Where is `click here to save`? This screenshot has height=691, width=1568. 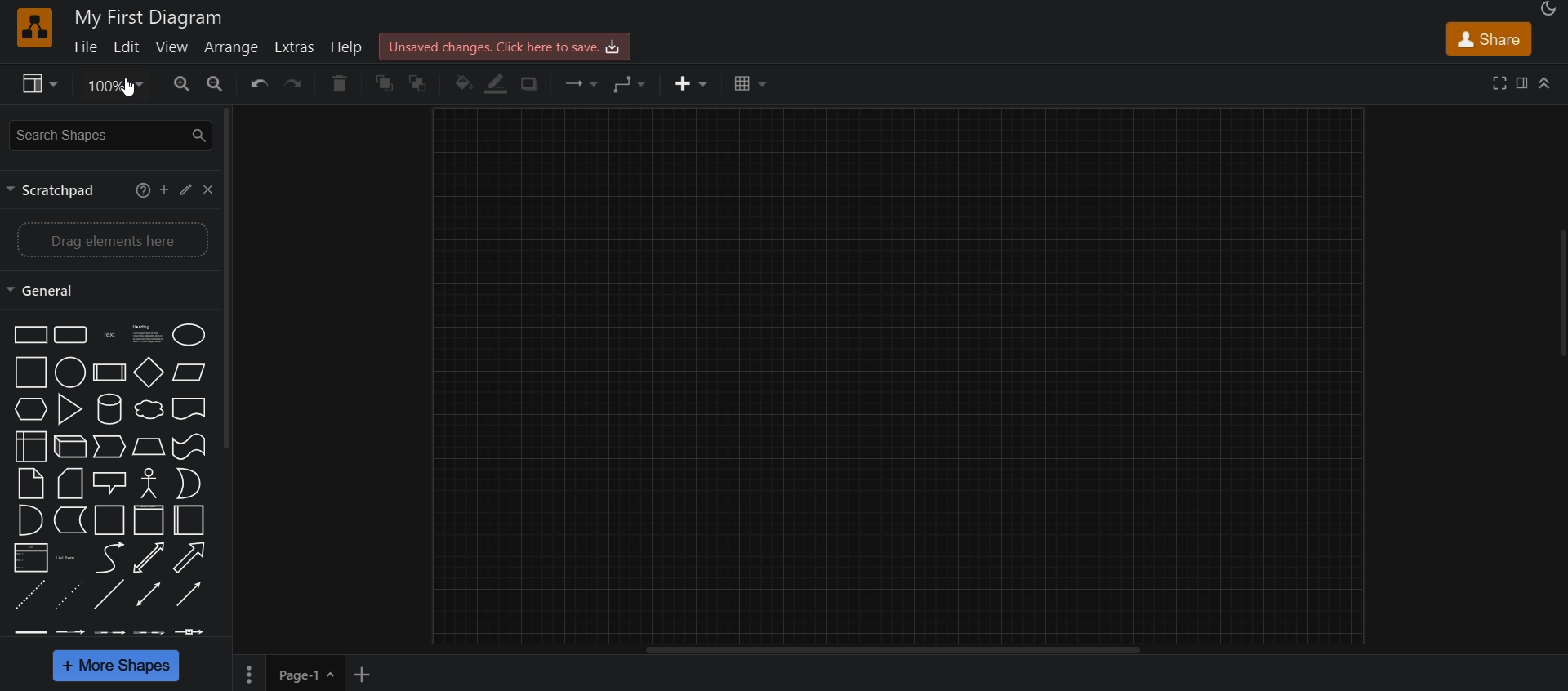 click here to save is located at coordinates (508, 46).